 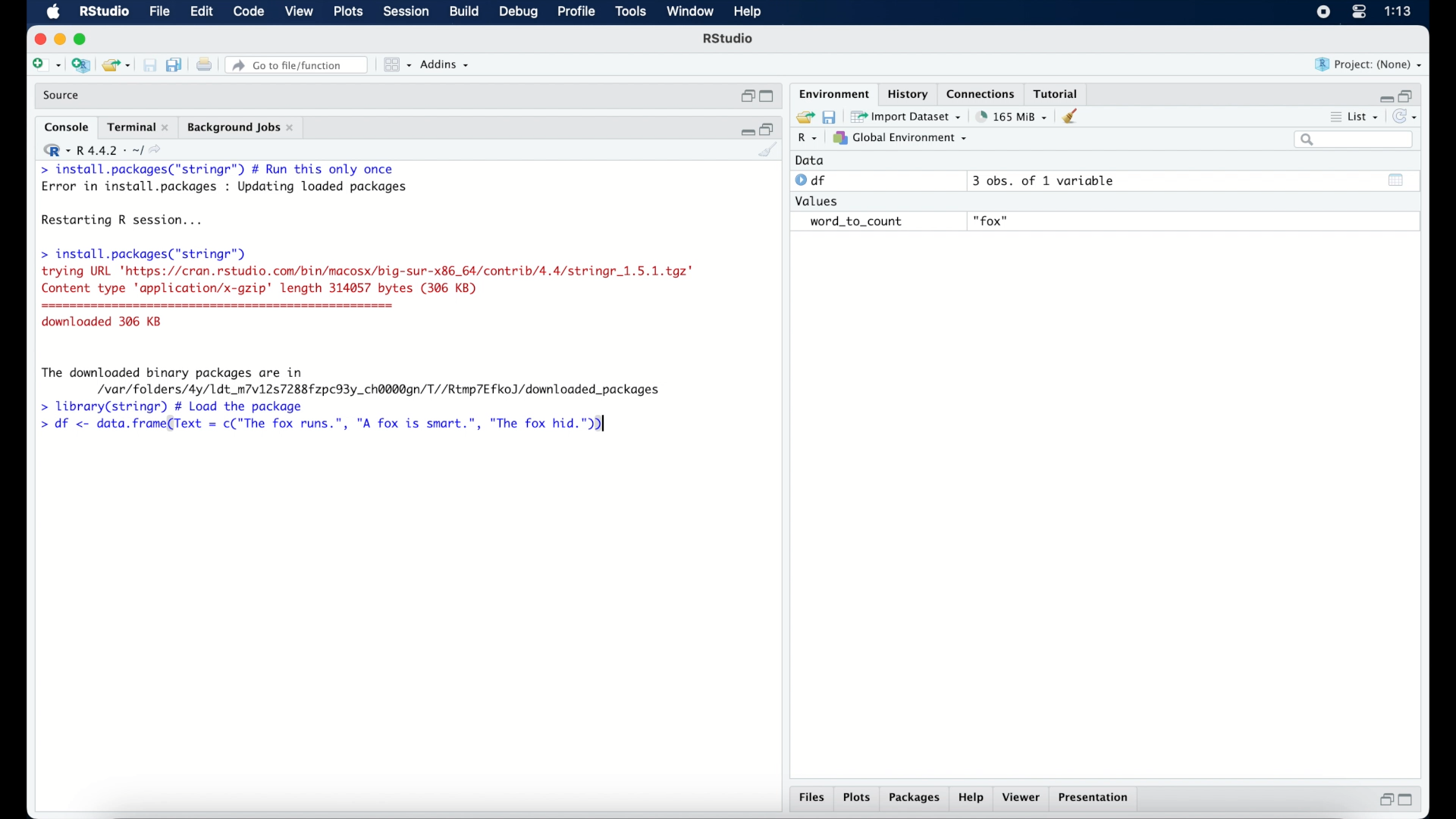 What do you see at coordinates (1323, 13) in the screenshot?
I see `screen recorder` at bounding box center [1323, 13].